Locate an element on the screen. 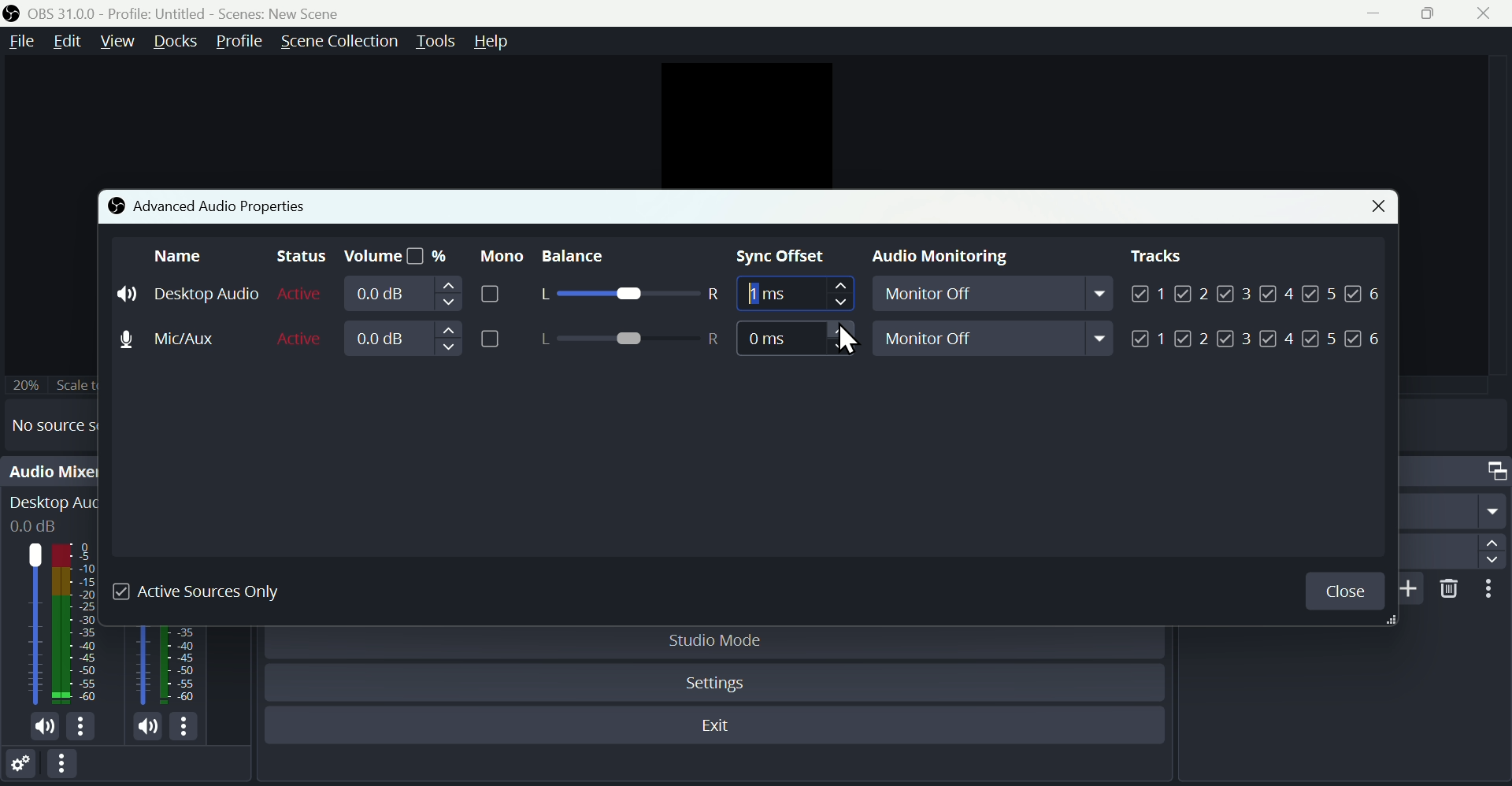 This screenshot has width=1512, height=786. Mike/Aux is located at coordinates (183, 337).